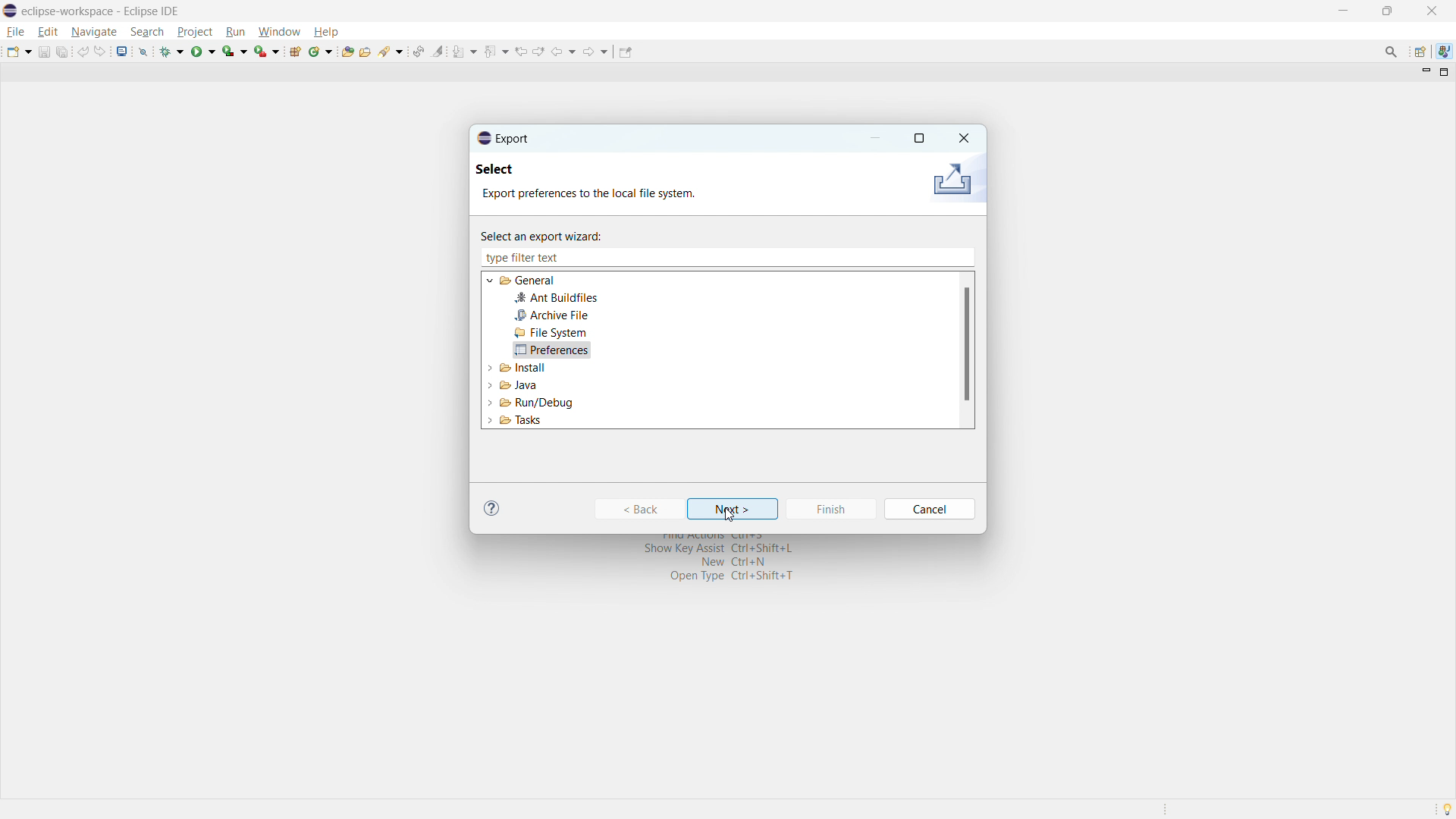  I want to click on finish, so click(830, 509).